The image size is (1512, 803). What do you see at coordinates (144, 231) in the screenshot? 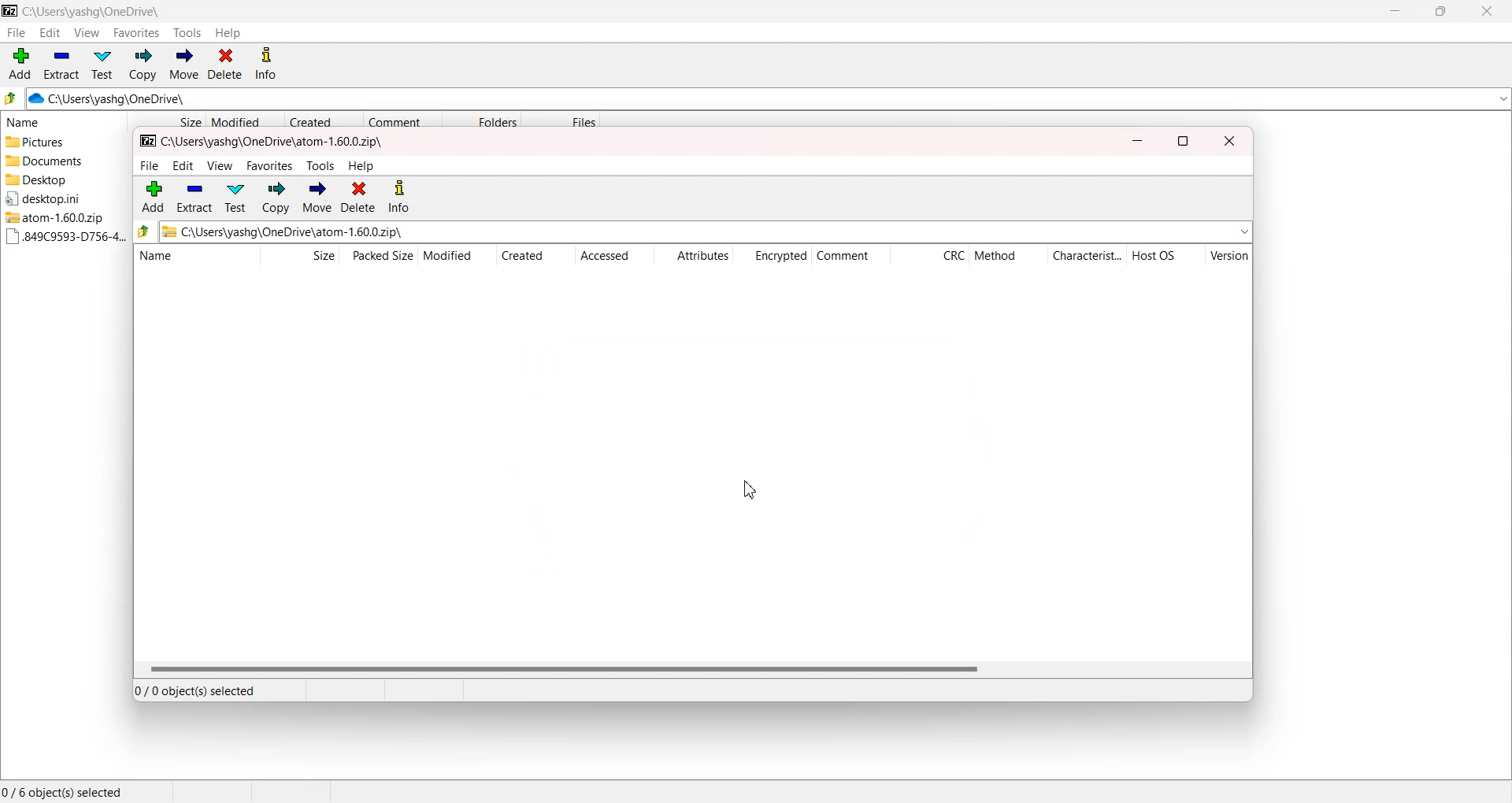
I see `back` at bounding box center [144, 231].